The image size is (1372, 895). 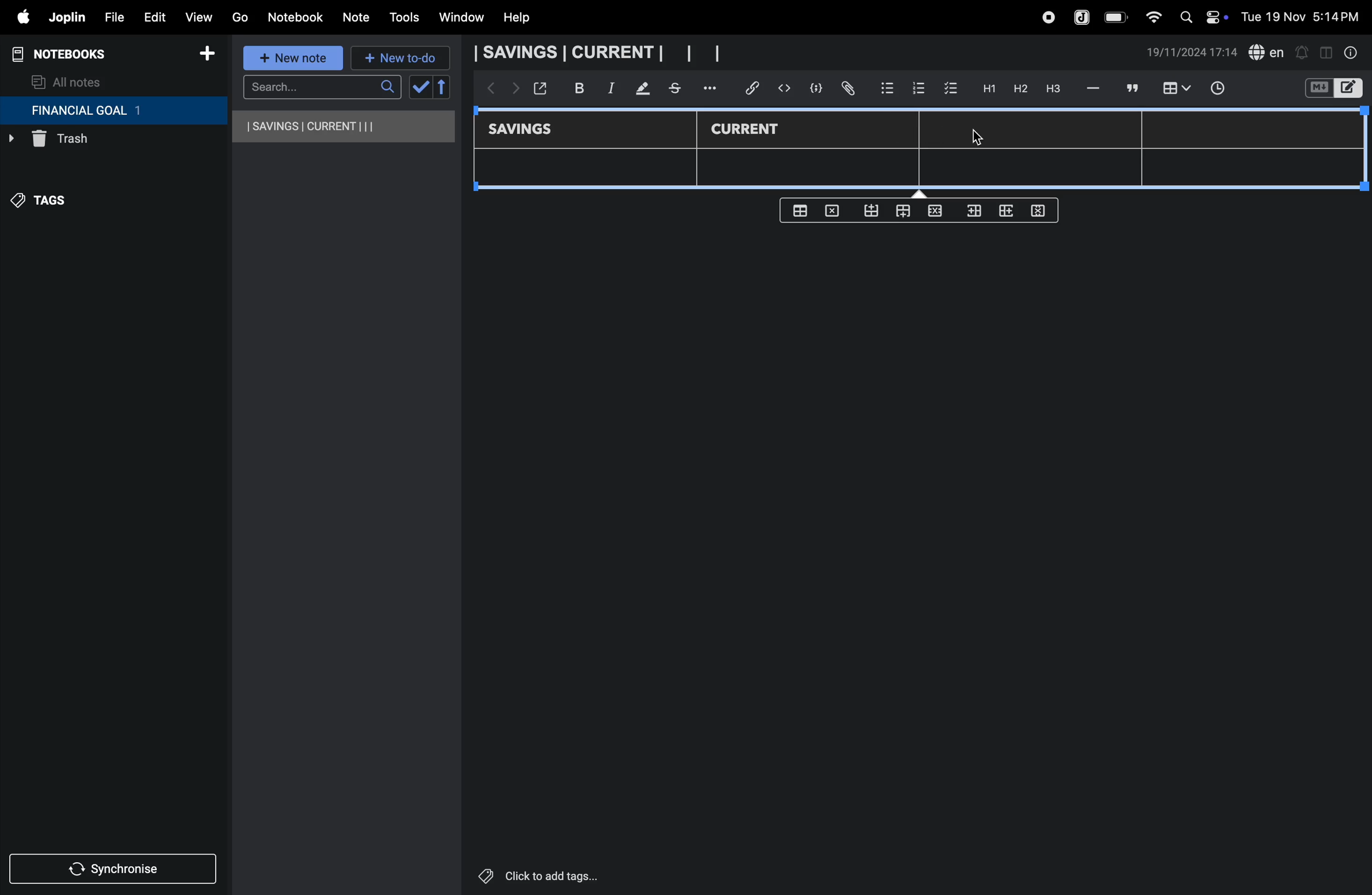 What do you see at coordinates (402, 17) in the screenshot?
I see `tools` at bounding box center [402, 17].